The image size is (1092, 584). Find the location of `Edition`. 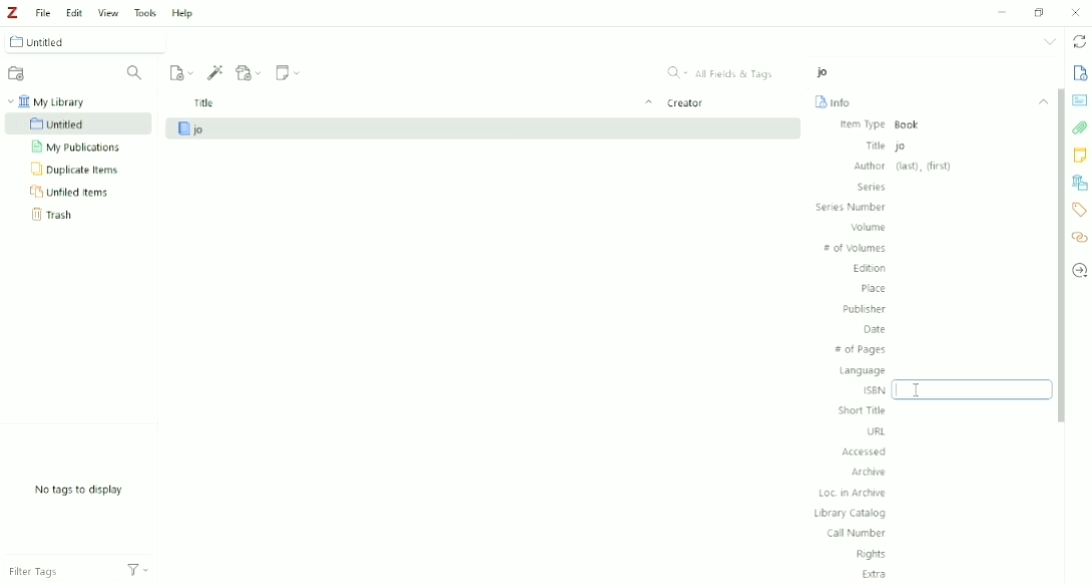

Edition is located at coordinates (869, 269).